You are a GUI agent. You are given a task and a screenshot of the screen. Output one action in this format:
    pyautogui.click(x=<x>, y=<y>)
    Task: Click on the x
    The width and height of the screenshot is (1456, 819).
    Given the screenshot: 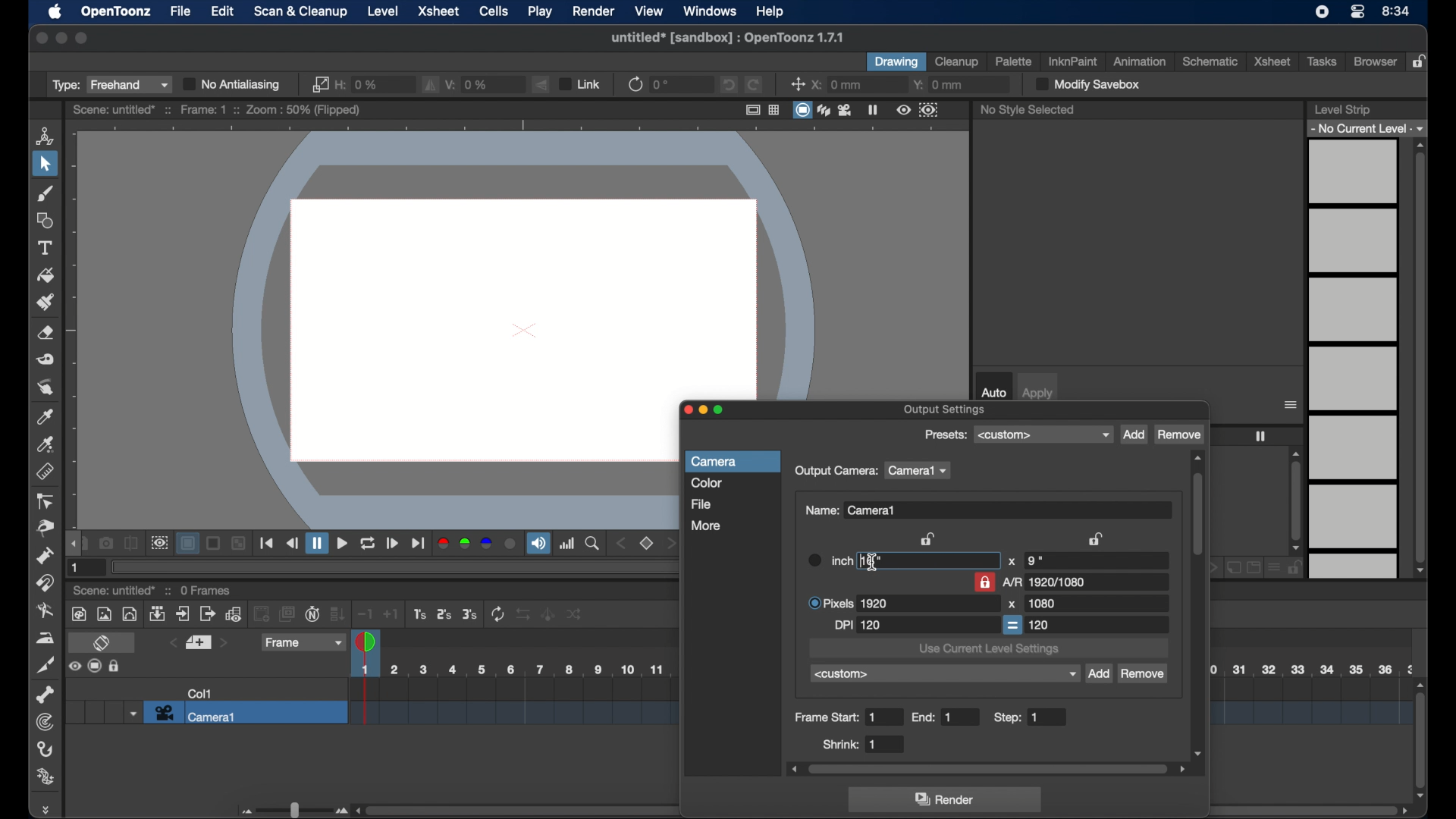 What is the action you would take?
    pyautogui.click(x=1012, y=562)
    